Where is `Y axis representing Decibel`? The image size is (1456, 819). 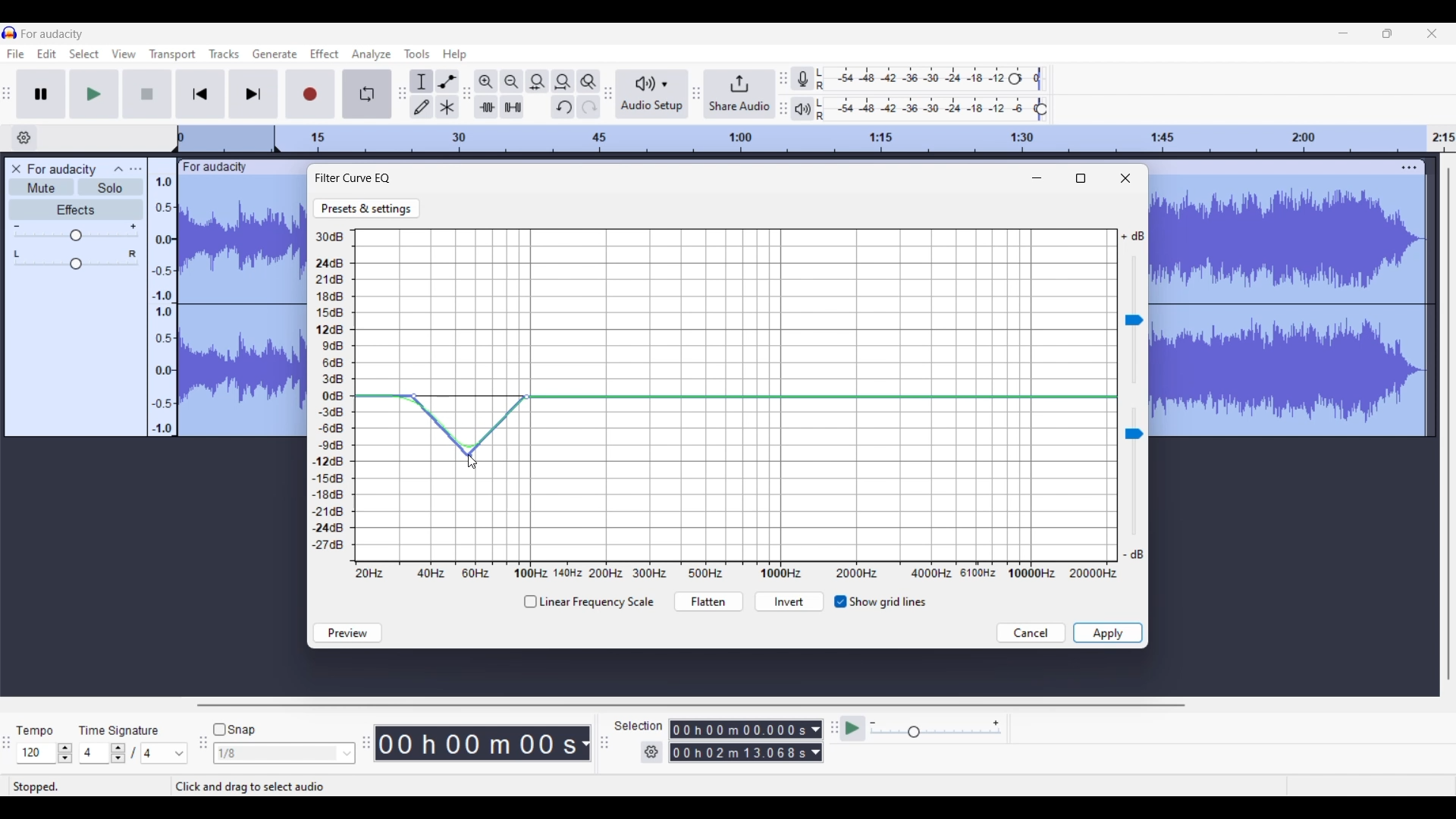
Y axis representing Decibel is located at coordinates (332, 392).